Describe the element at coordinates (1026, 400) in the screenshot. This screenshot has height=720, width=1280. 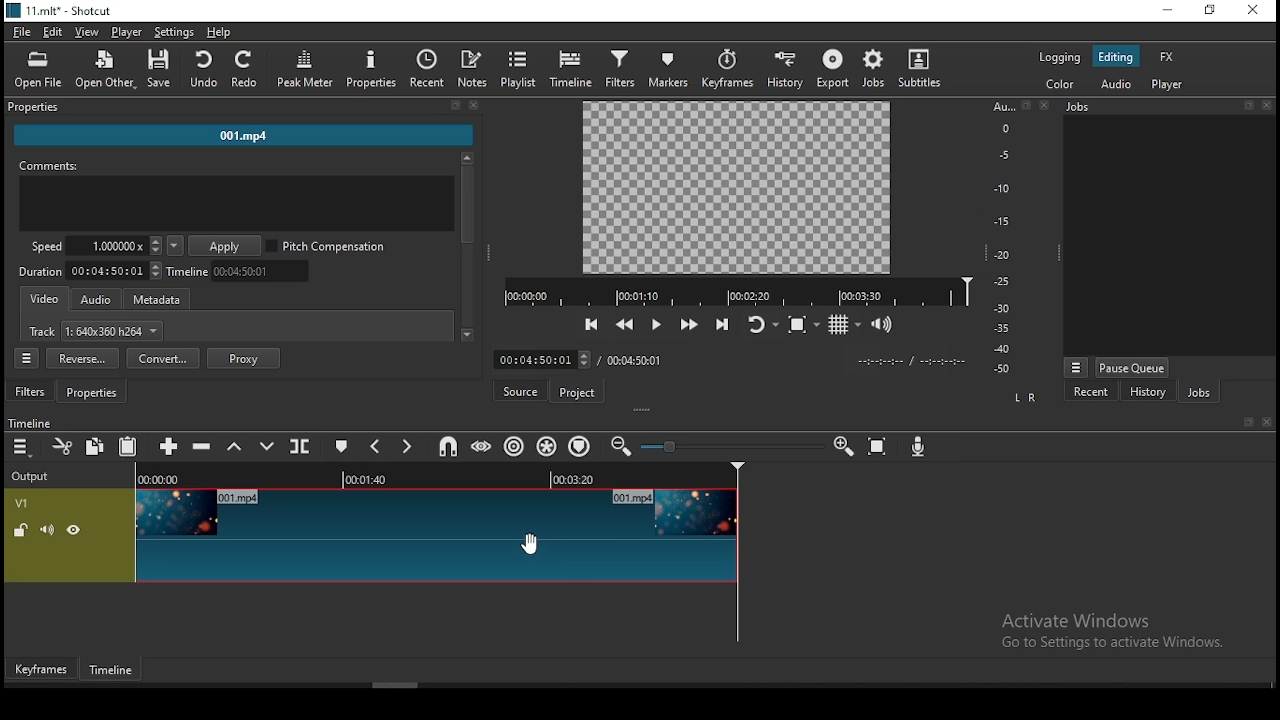
I see `L R` at that location.